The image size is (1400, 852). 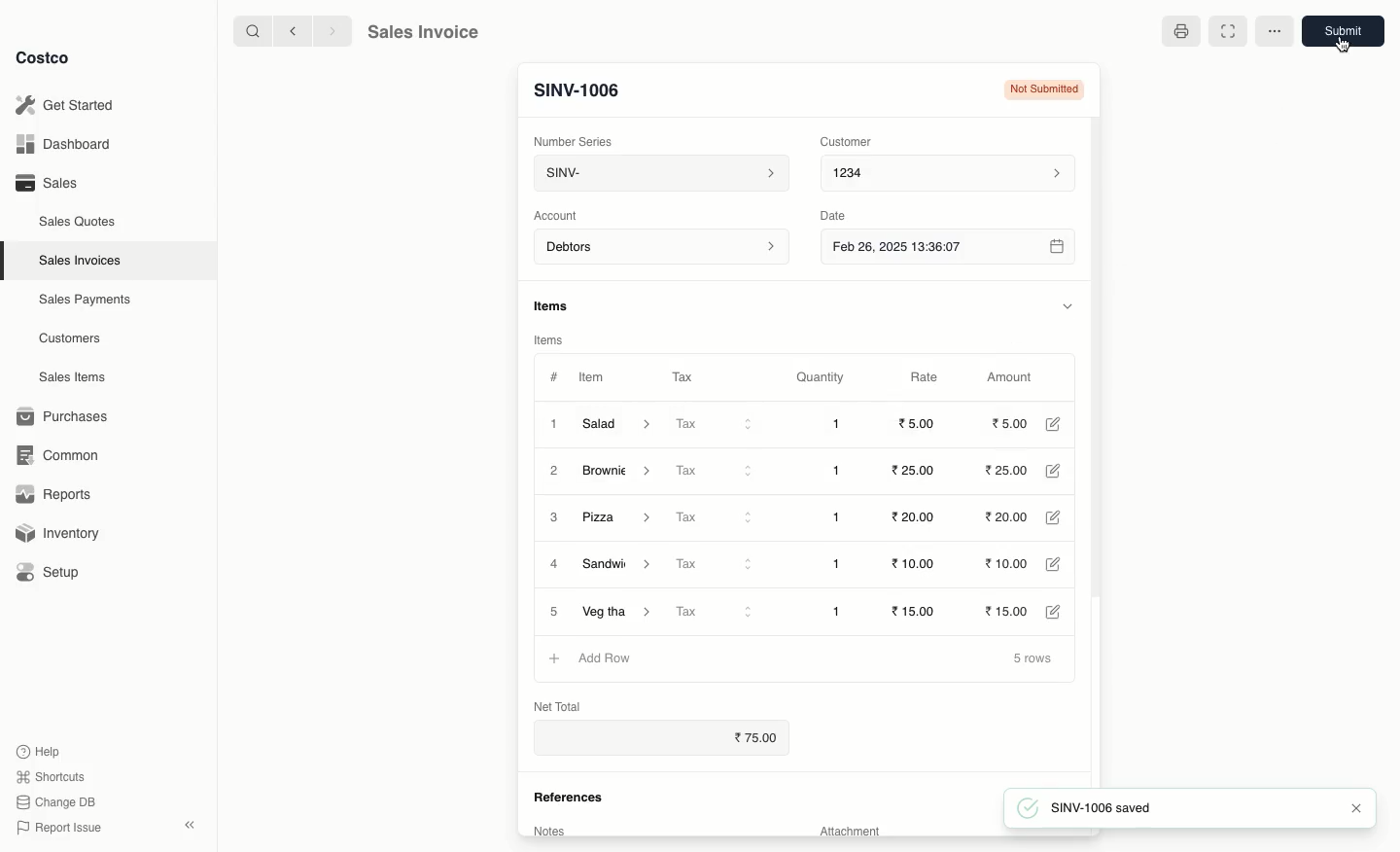 What do you see at coordinates (617, 518) in the screenshot?
I see `Pizza` at bounding box center [617, 518].